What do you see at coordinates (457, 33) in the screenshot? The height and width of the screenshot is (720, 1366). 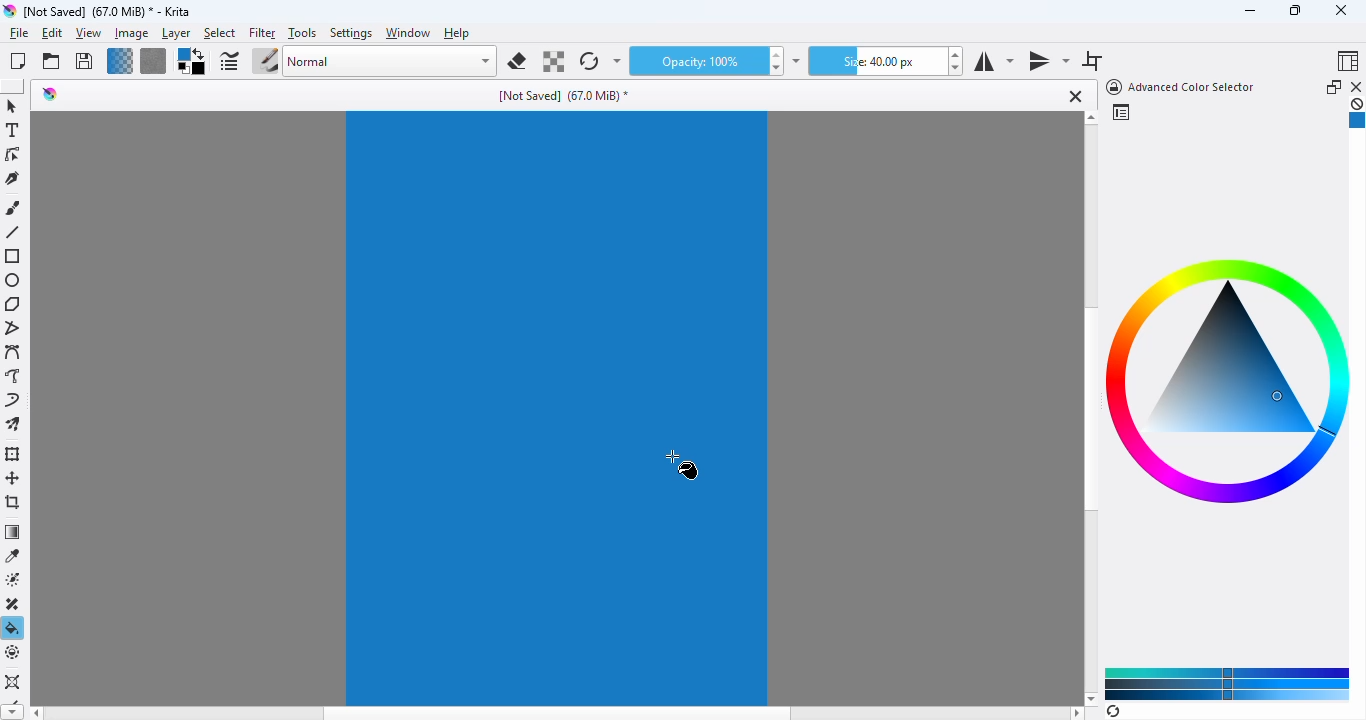 I see `help` at bounding box center [457, 33].